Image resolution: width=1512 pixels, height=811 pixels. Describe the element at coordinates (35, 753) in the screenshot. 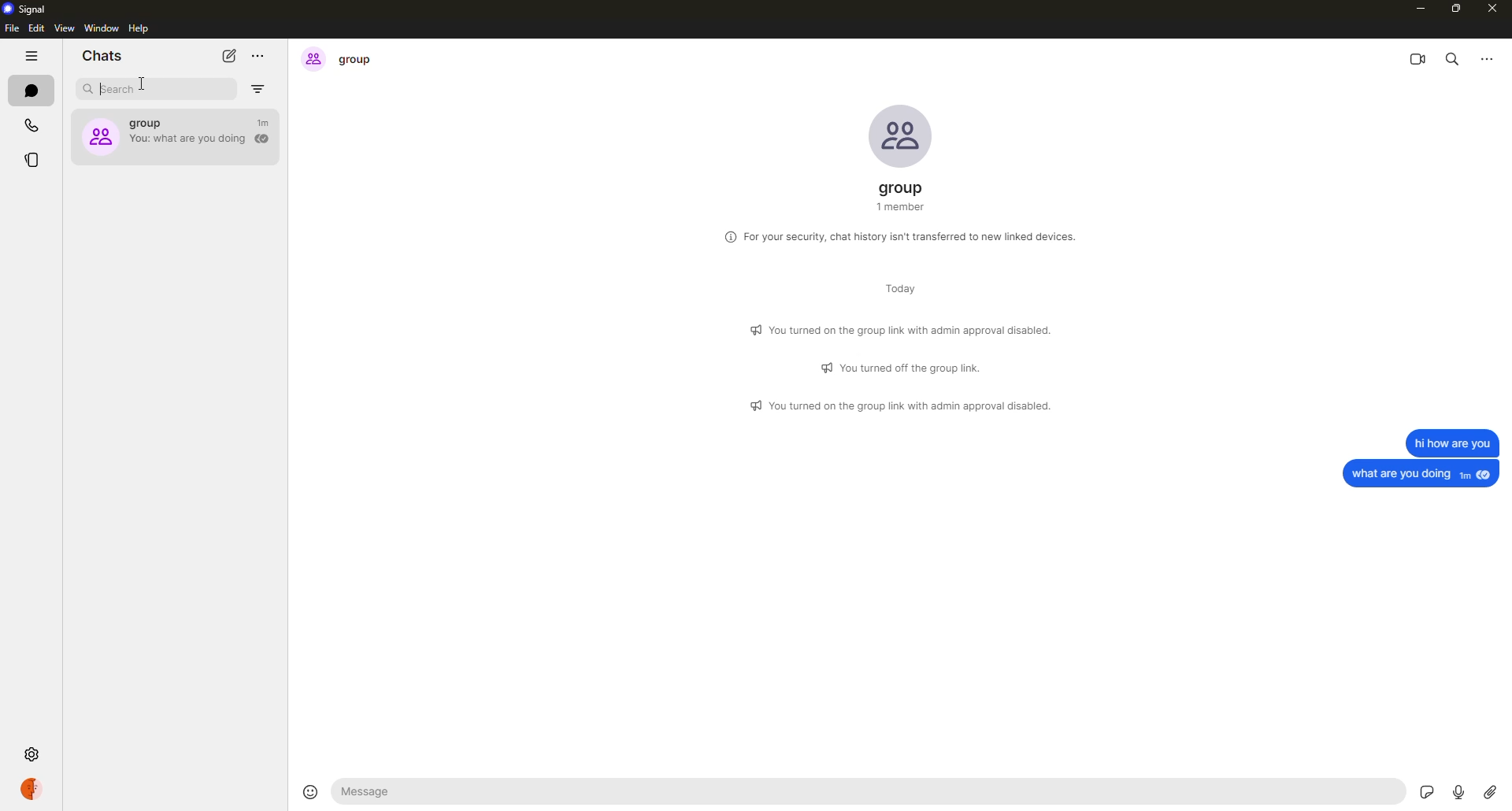

I see `settings` at that location.